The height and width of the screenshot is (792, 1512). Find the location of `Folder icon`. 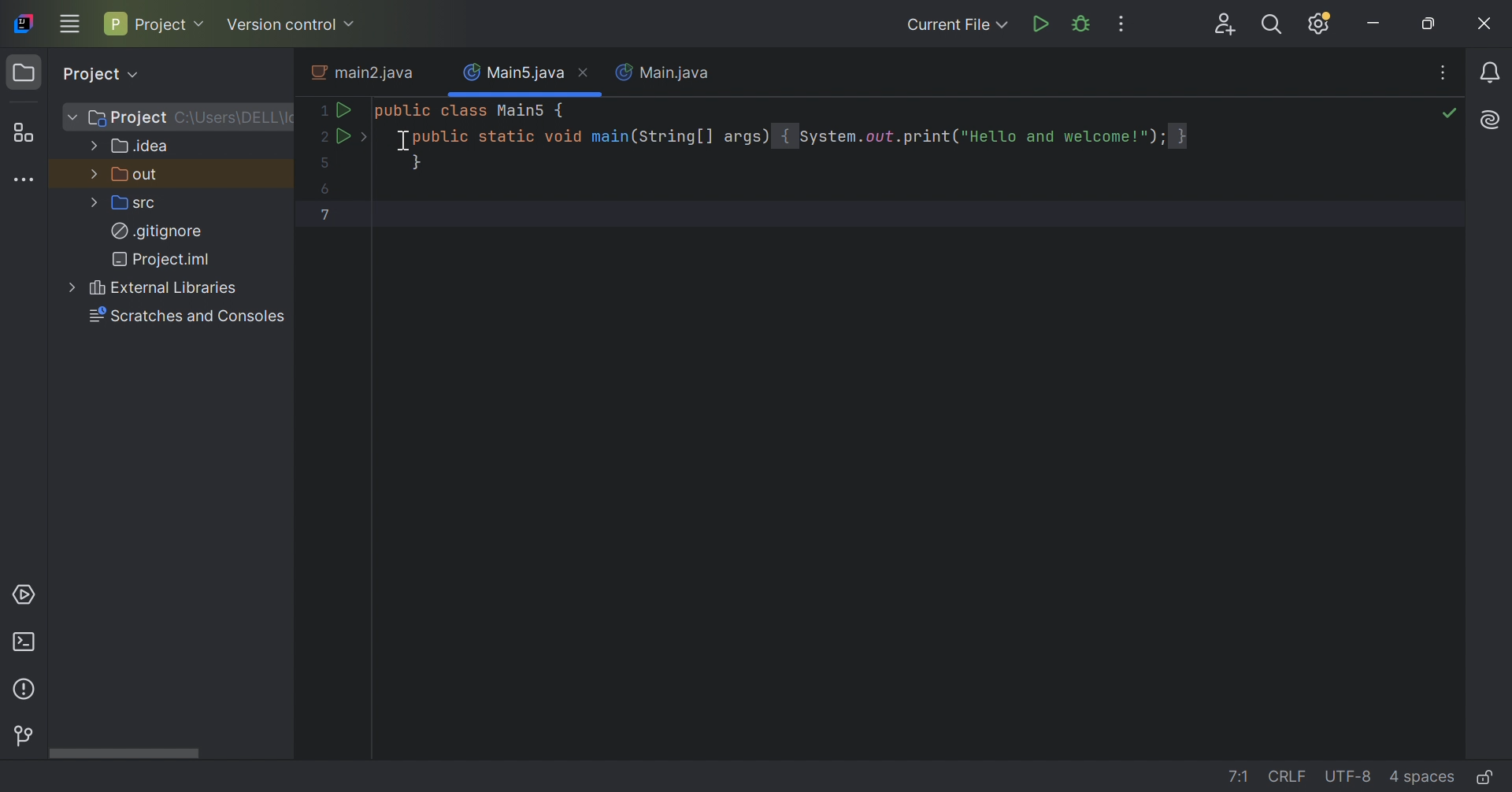

Folder icon is located at coordinates (23, 75).